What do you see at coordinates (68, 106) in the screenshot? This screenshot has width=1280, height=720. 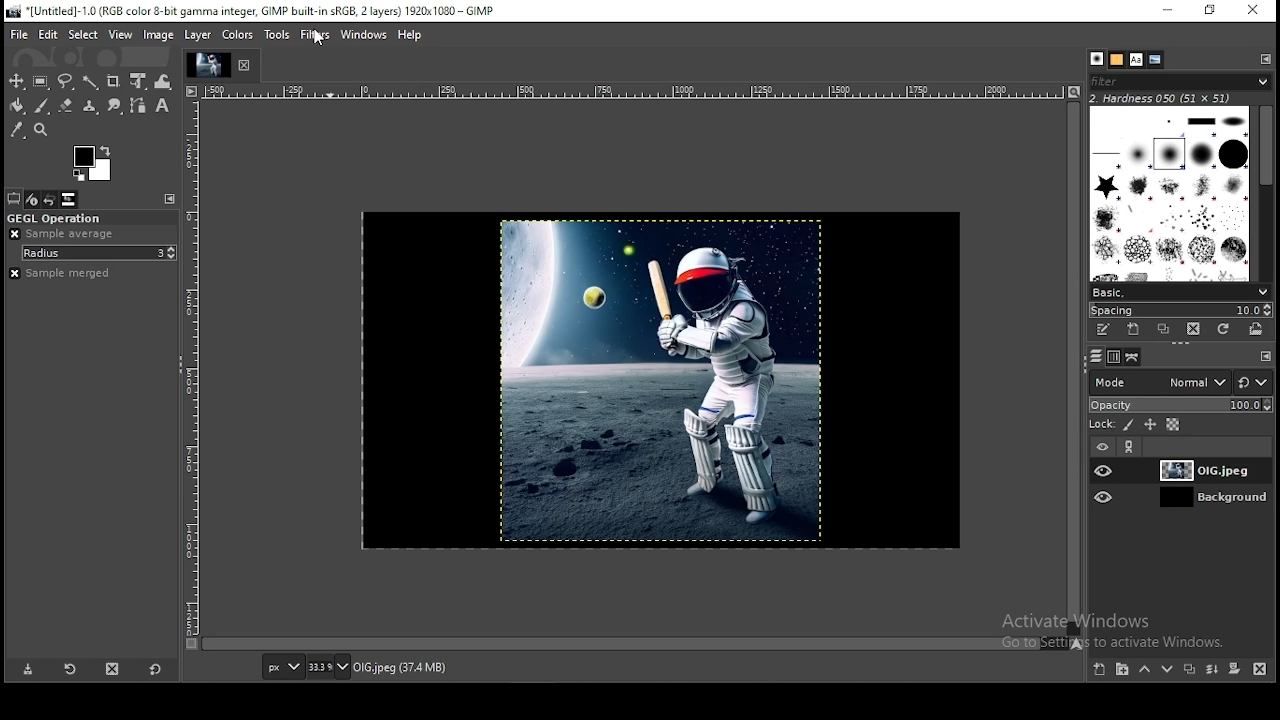 I see `eraser tool` at bounding box center [68, 106].